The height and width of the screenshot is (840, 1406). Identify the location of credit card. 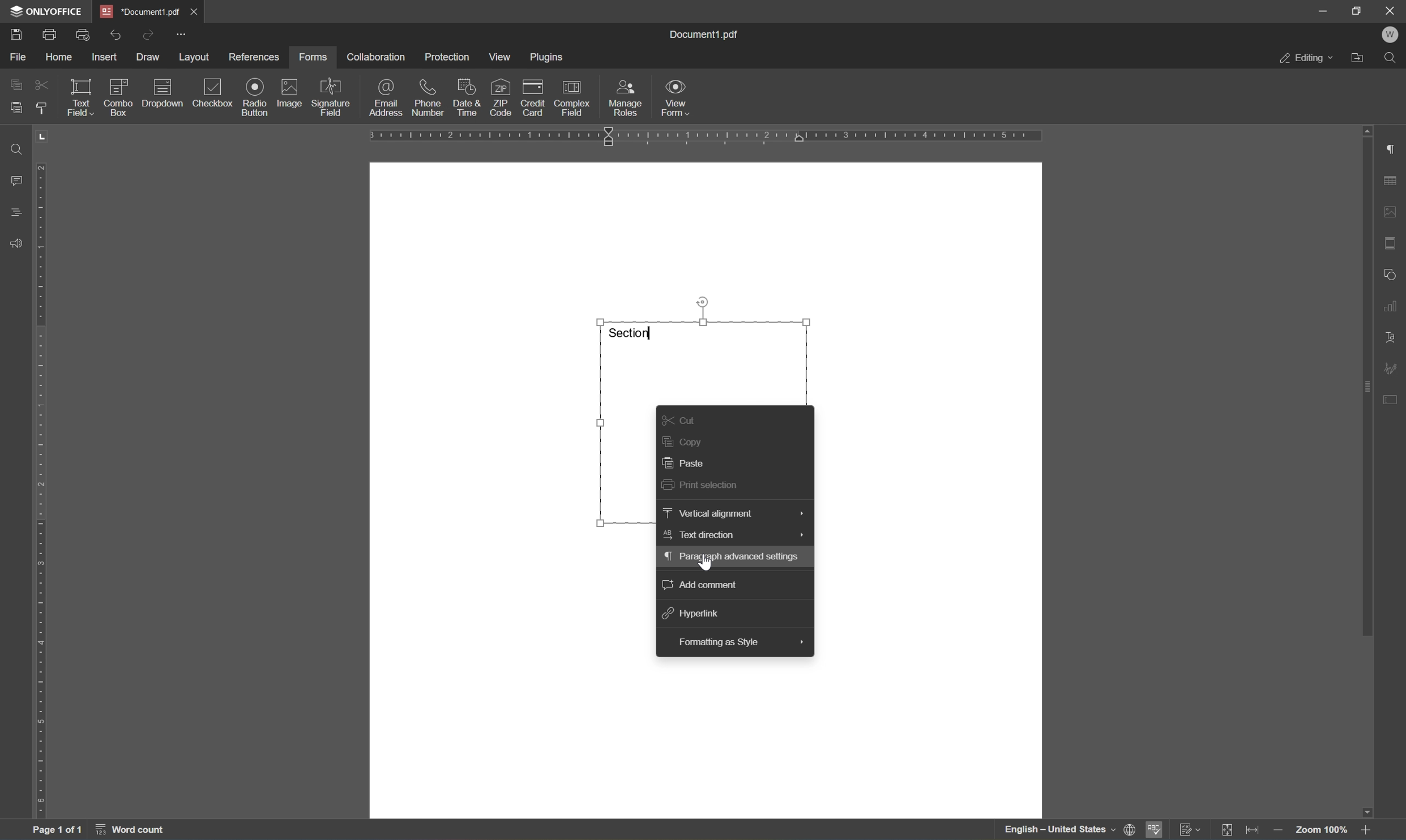
(533, 97).